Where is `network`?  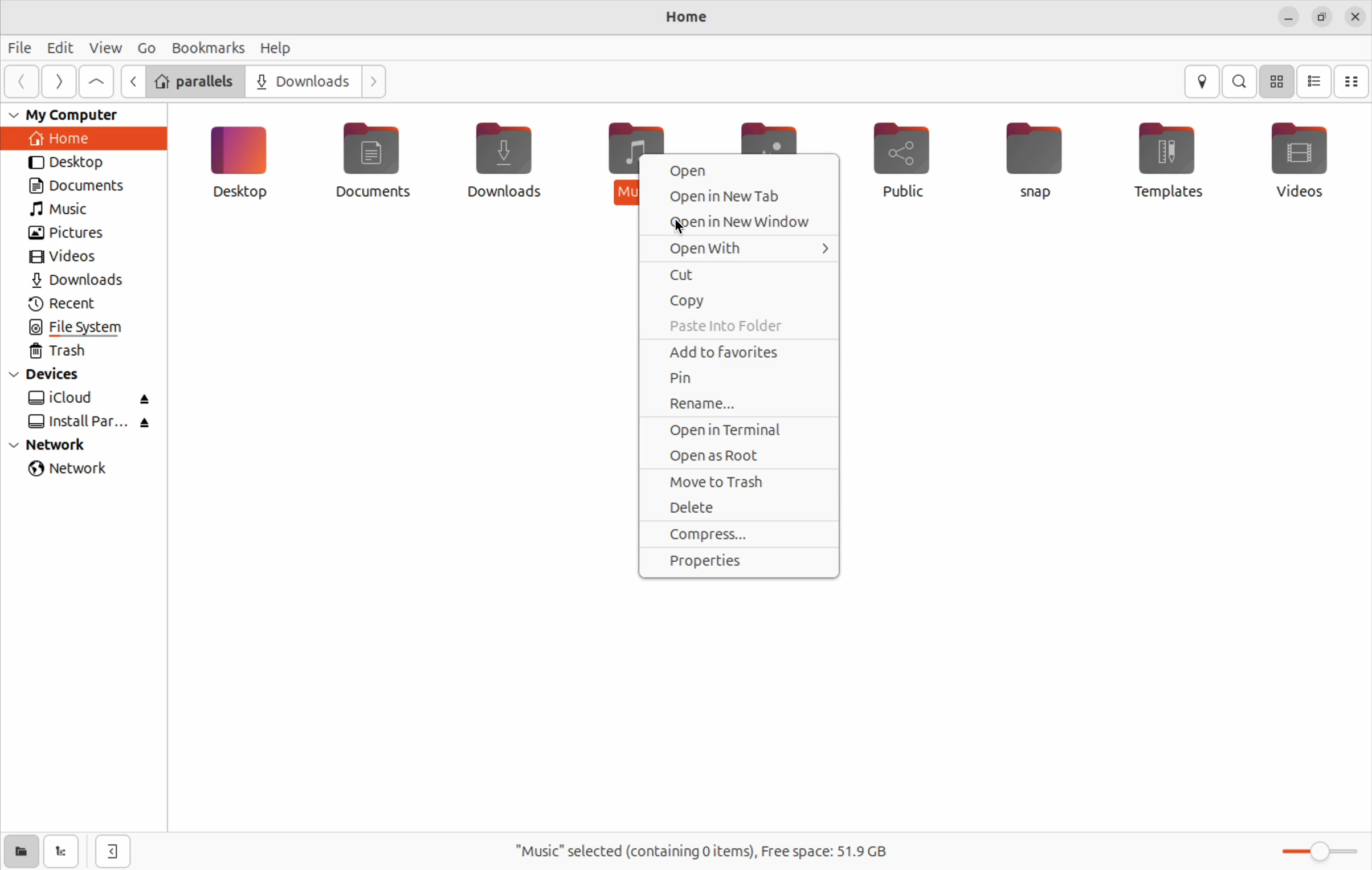
network is located at coordinates (75, 471).